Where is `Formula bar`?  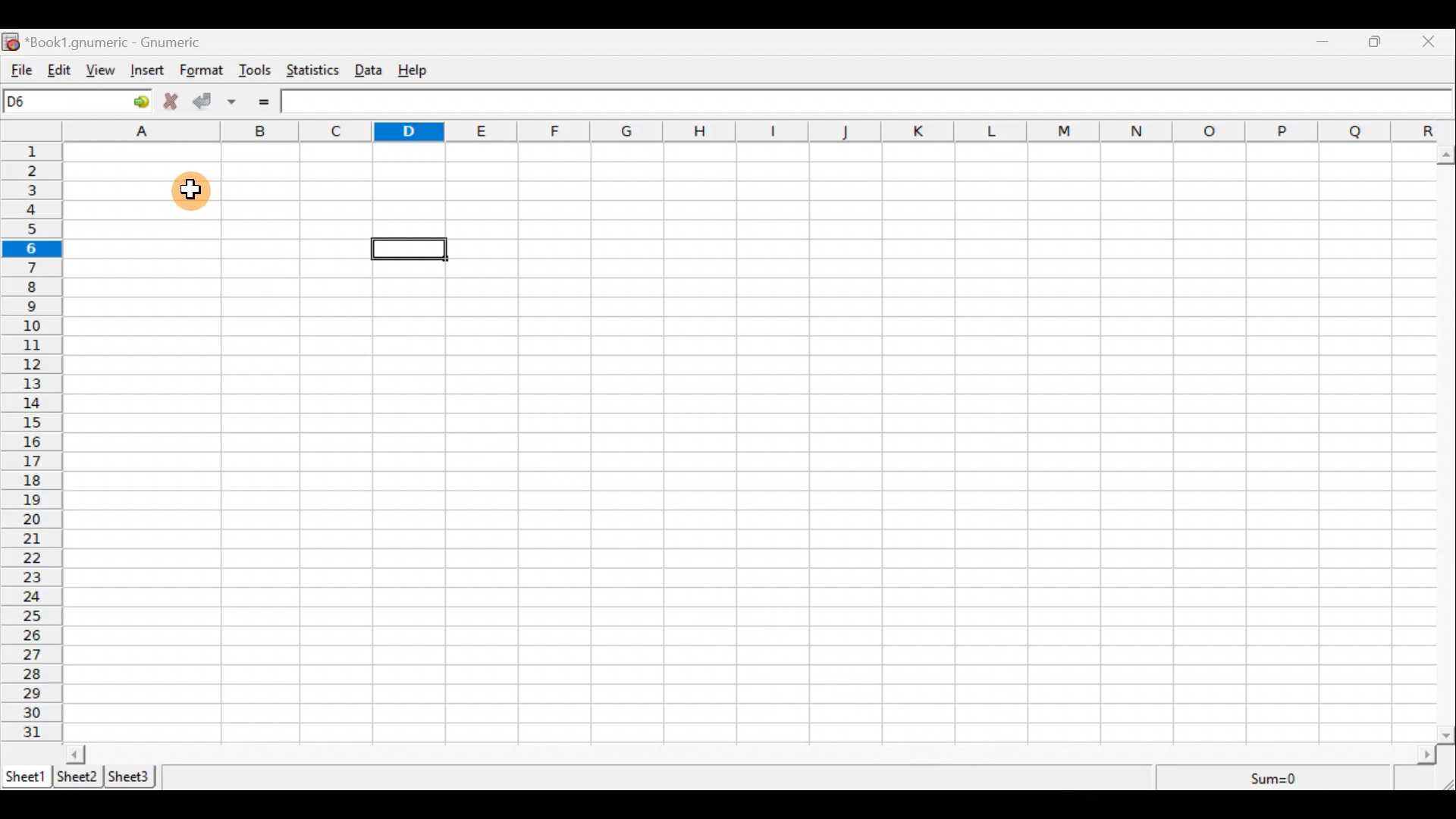
Formula bar is located at coordinates (860, 104).